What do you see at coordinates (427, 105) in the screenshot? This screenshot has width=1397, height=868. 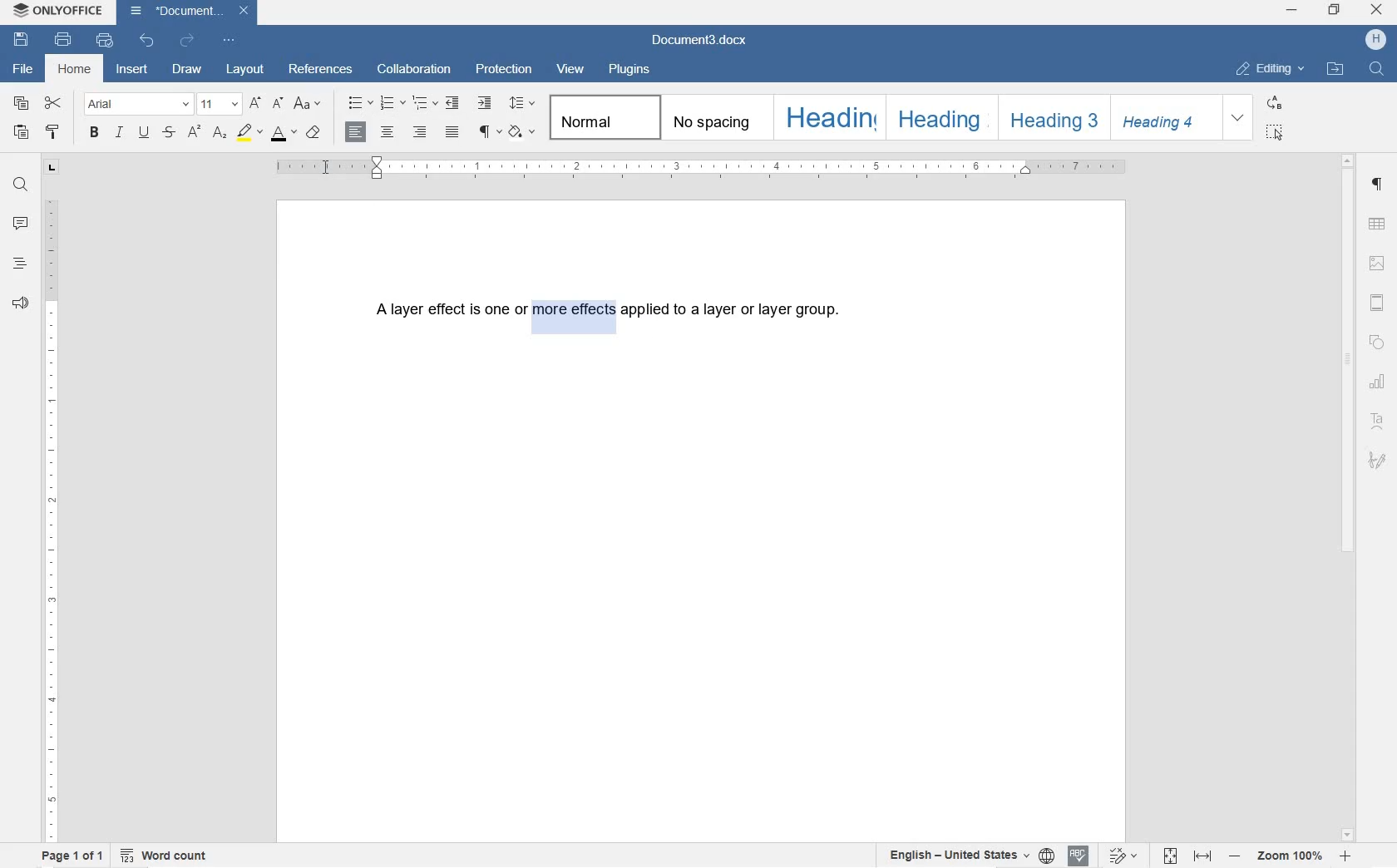 I see `MULTILEVEL LISTS` at bounding box center [427, 105].